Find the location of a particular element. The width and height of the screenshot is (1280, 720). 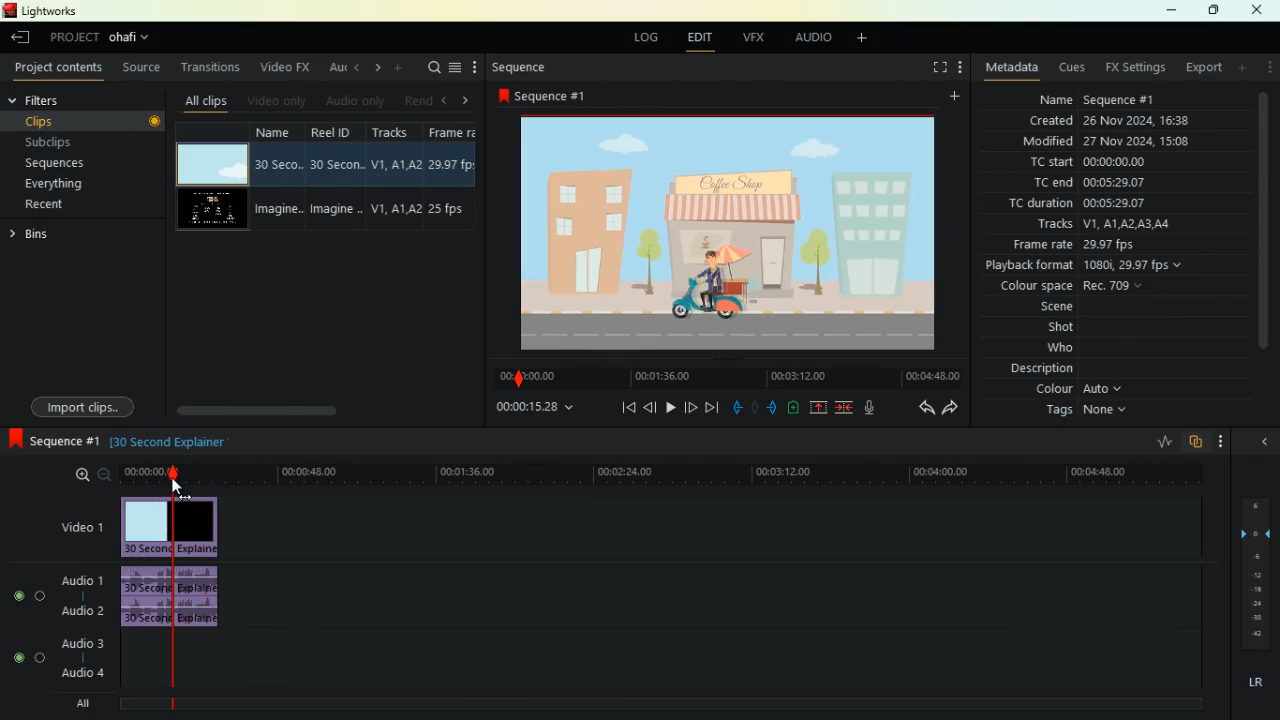

add is located at coordinates (952, 98).